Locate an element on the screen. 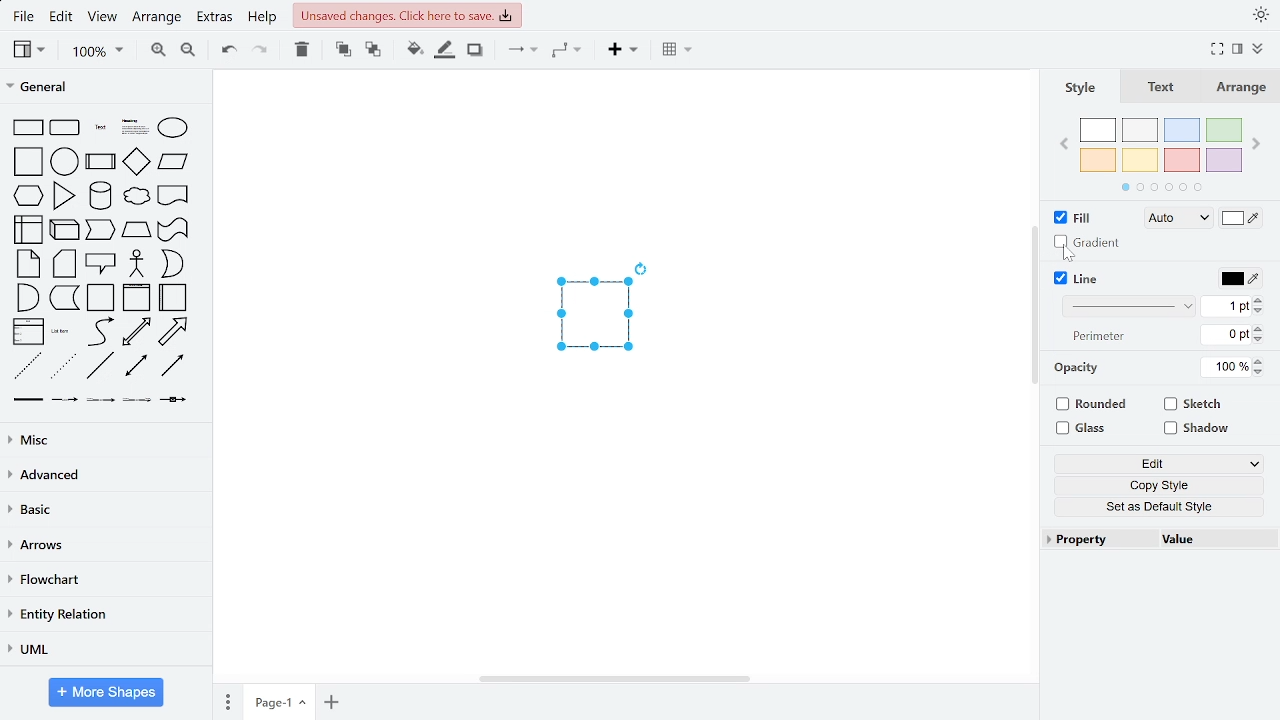 This screenshot has height=720, width=1280. general shapes is located at coordinates (63, 159).